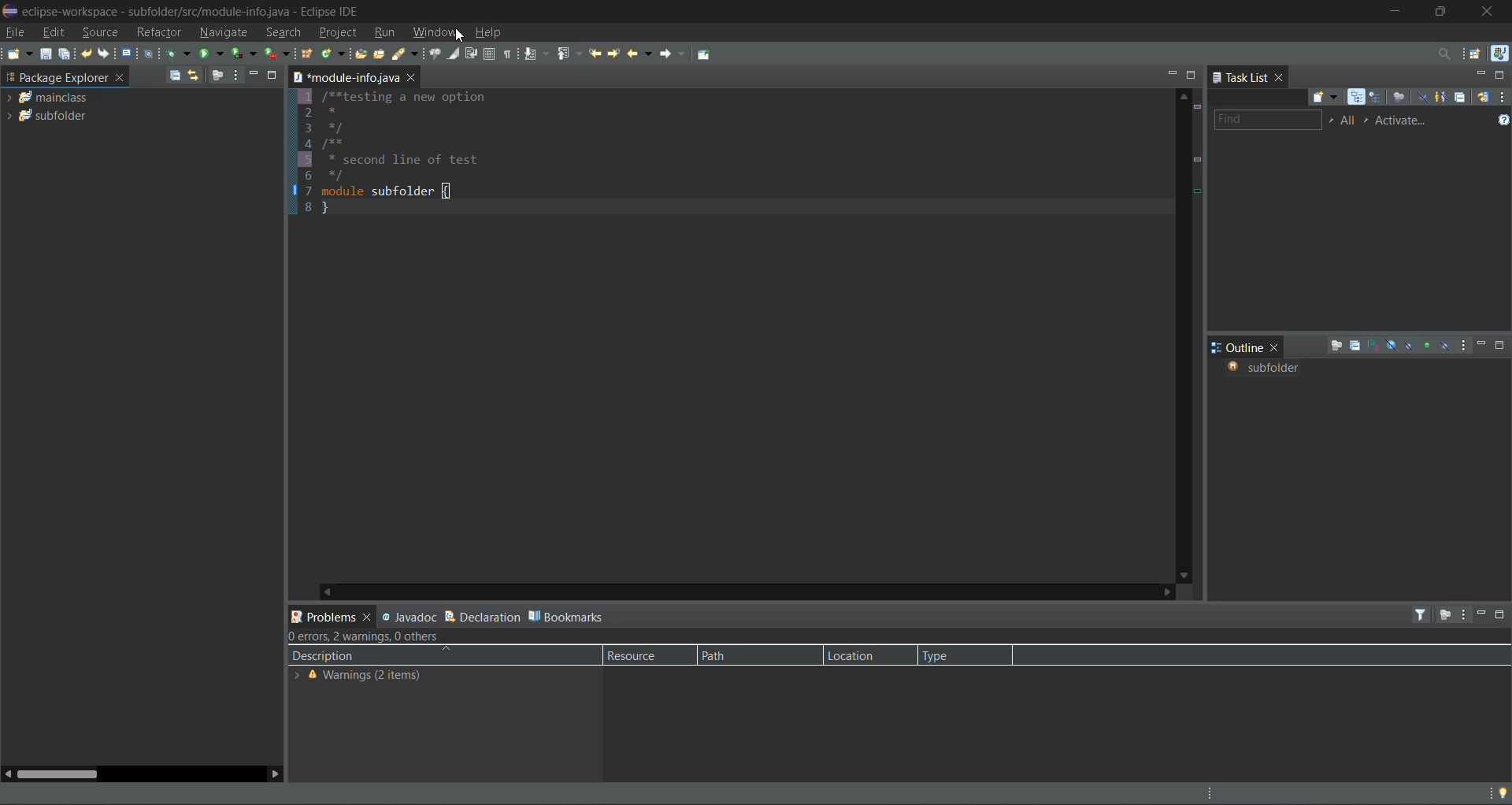  What do you see at coordinates (1332, 121) in the screenshot?
I see `select working set` at bounding box center [1332, 121].